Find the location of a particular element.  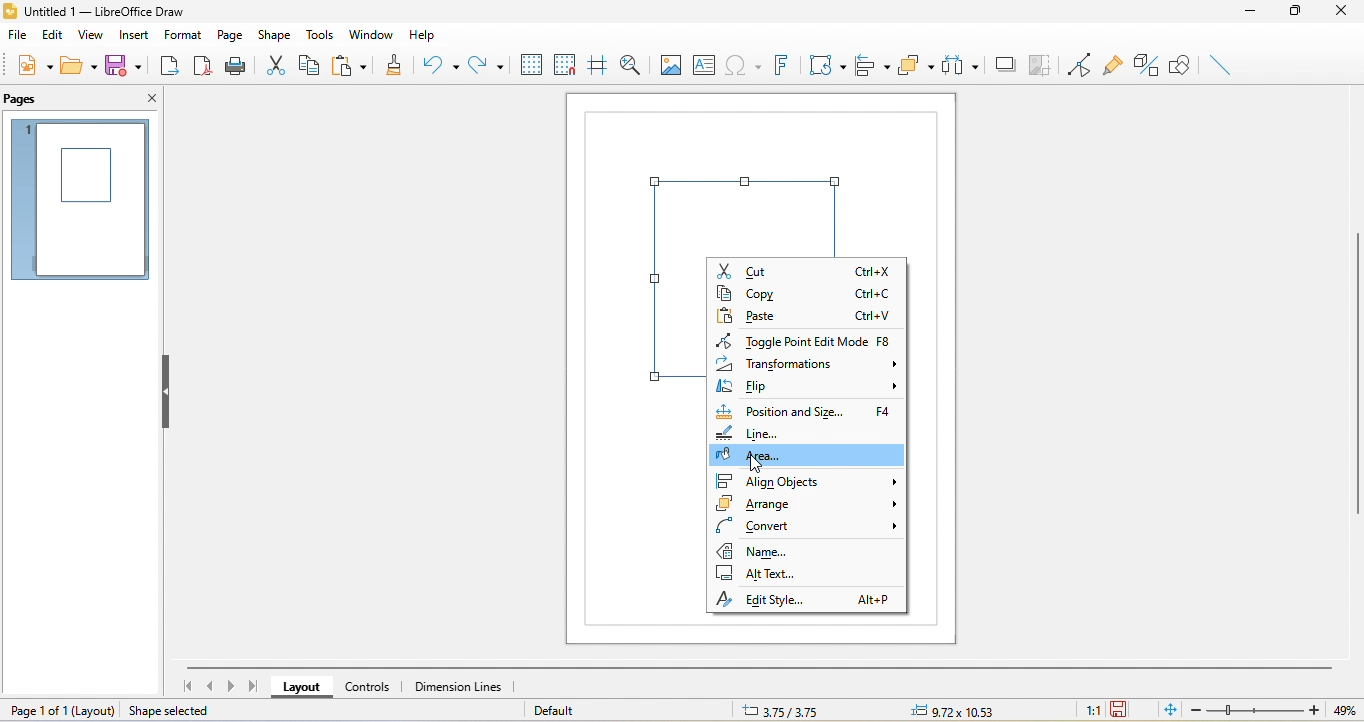

page 1 of 1 is located at coordinates (62, 710).